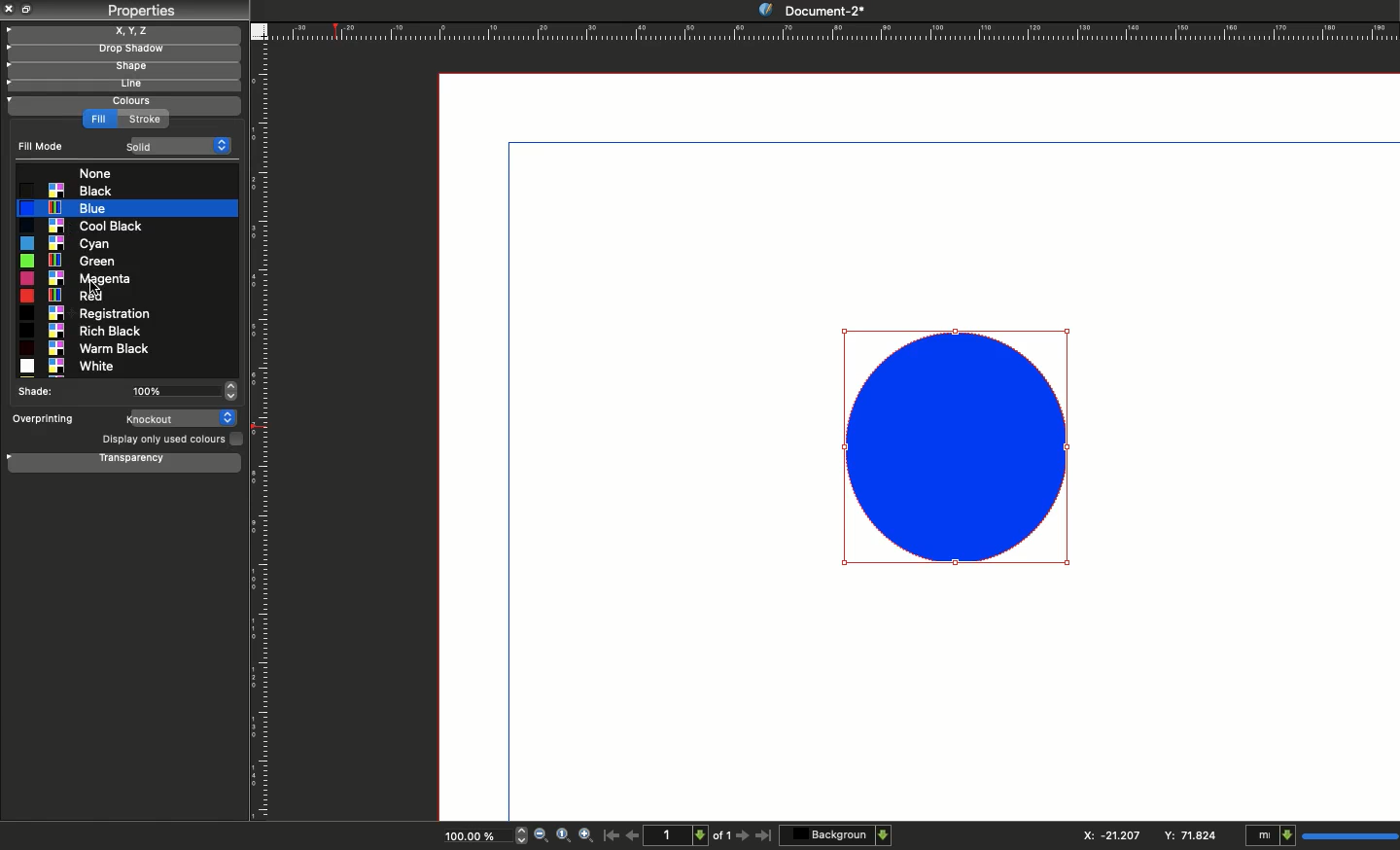 The width and height of the screenshot is (1400, 850). What do you see at coordinates (46, 419) in the screenshot?
I see `Overprinting` at bounding box center [46, 419].